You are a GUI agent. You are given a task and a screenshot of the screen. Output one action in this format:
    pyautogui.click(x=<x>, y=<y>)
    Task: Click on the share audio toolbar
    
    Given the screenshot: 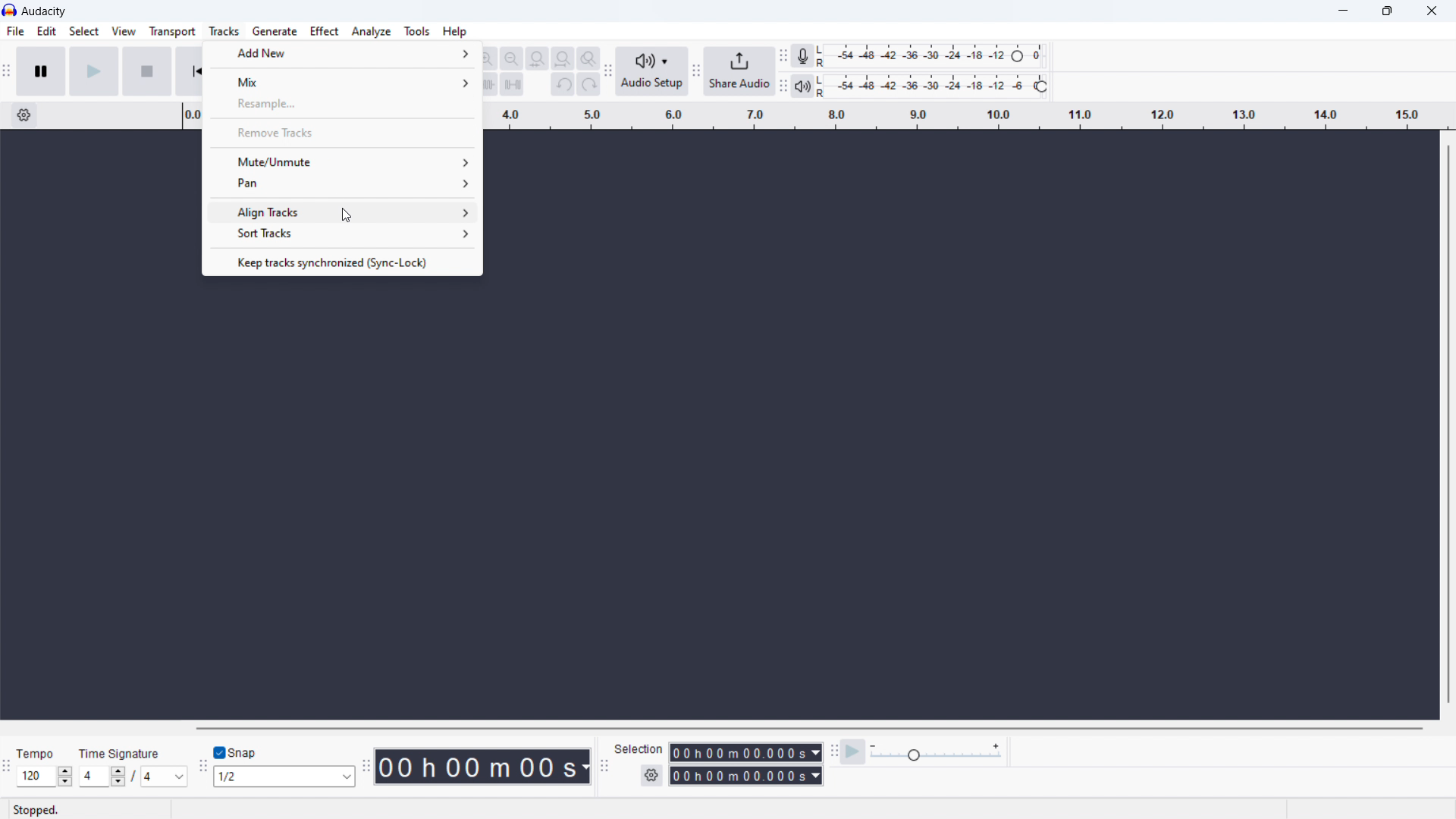 What is the action you would take?
    pyautogui.click(x=696, y=72)
    